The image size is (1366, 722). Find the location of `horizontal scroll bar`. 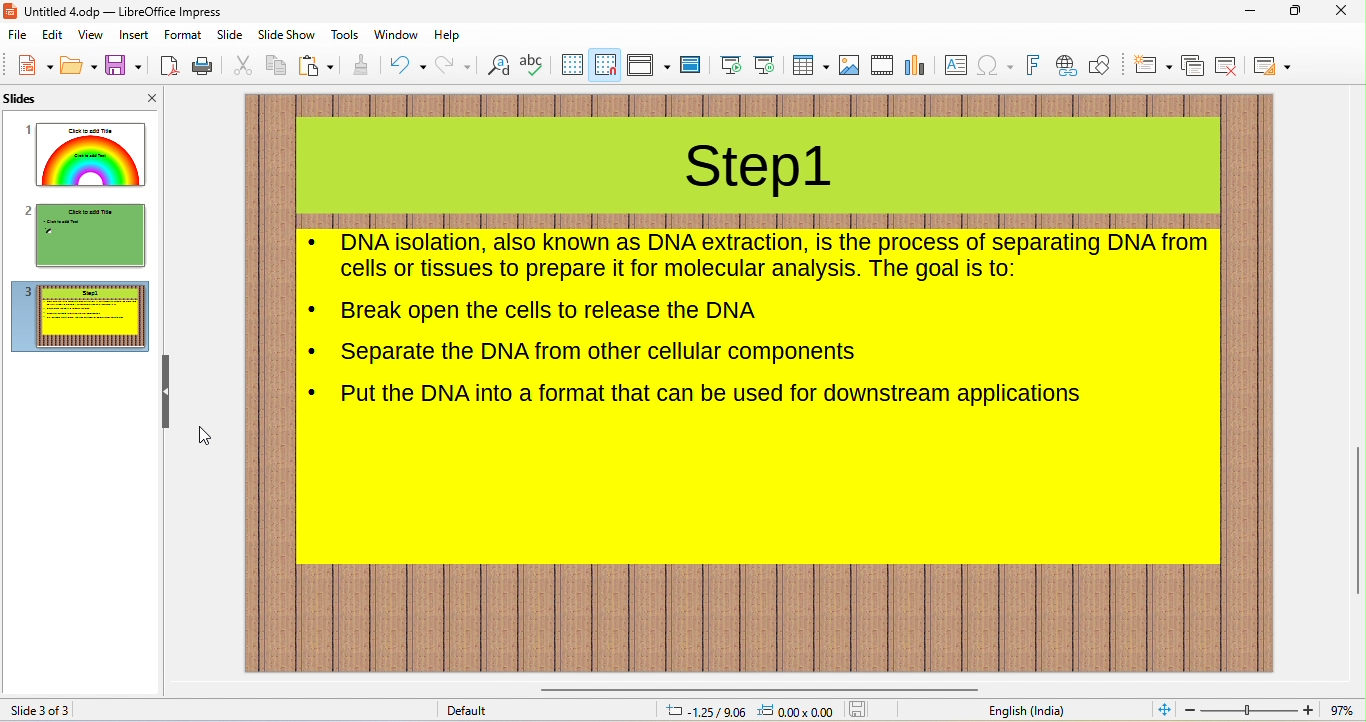

horizontal scroll bar is located at coordinates (755, 685).